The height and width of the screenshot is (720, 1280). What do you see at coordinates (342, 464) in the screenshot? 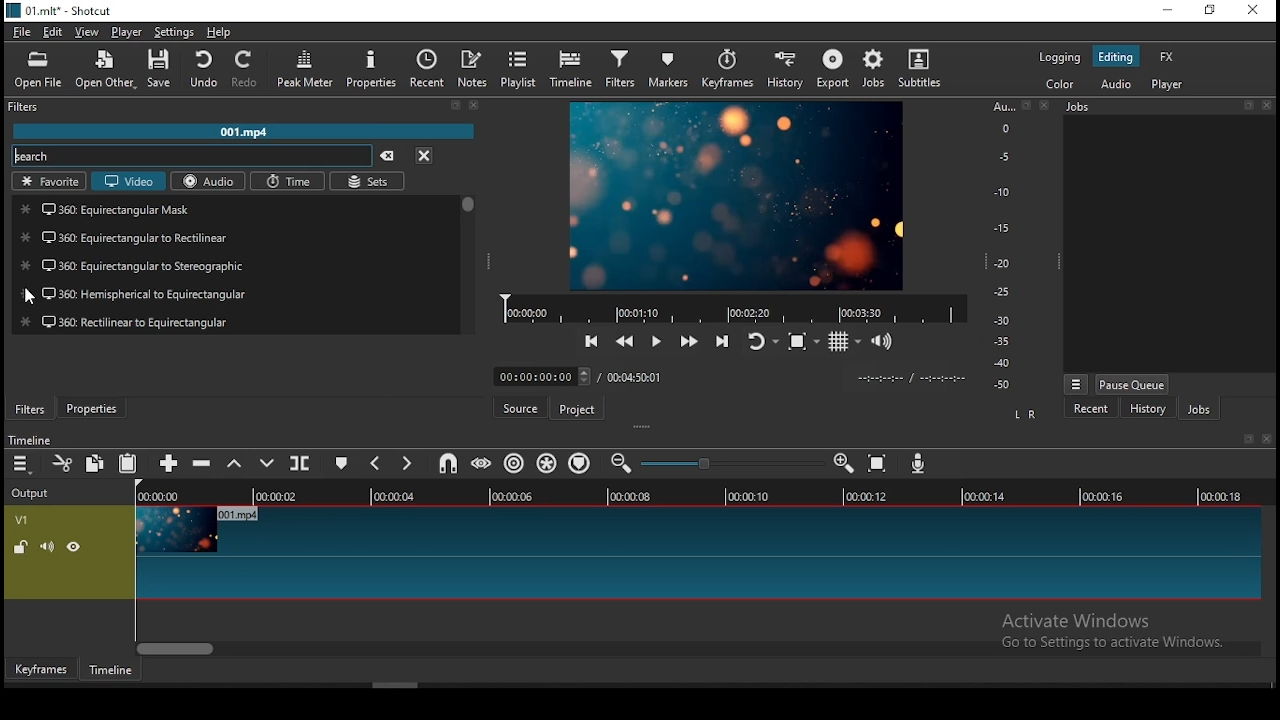
I see `create/edit marker` at bounding box center [342, 464].